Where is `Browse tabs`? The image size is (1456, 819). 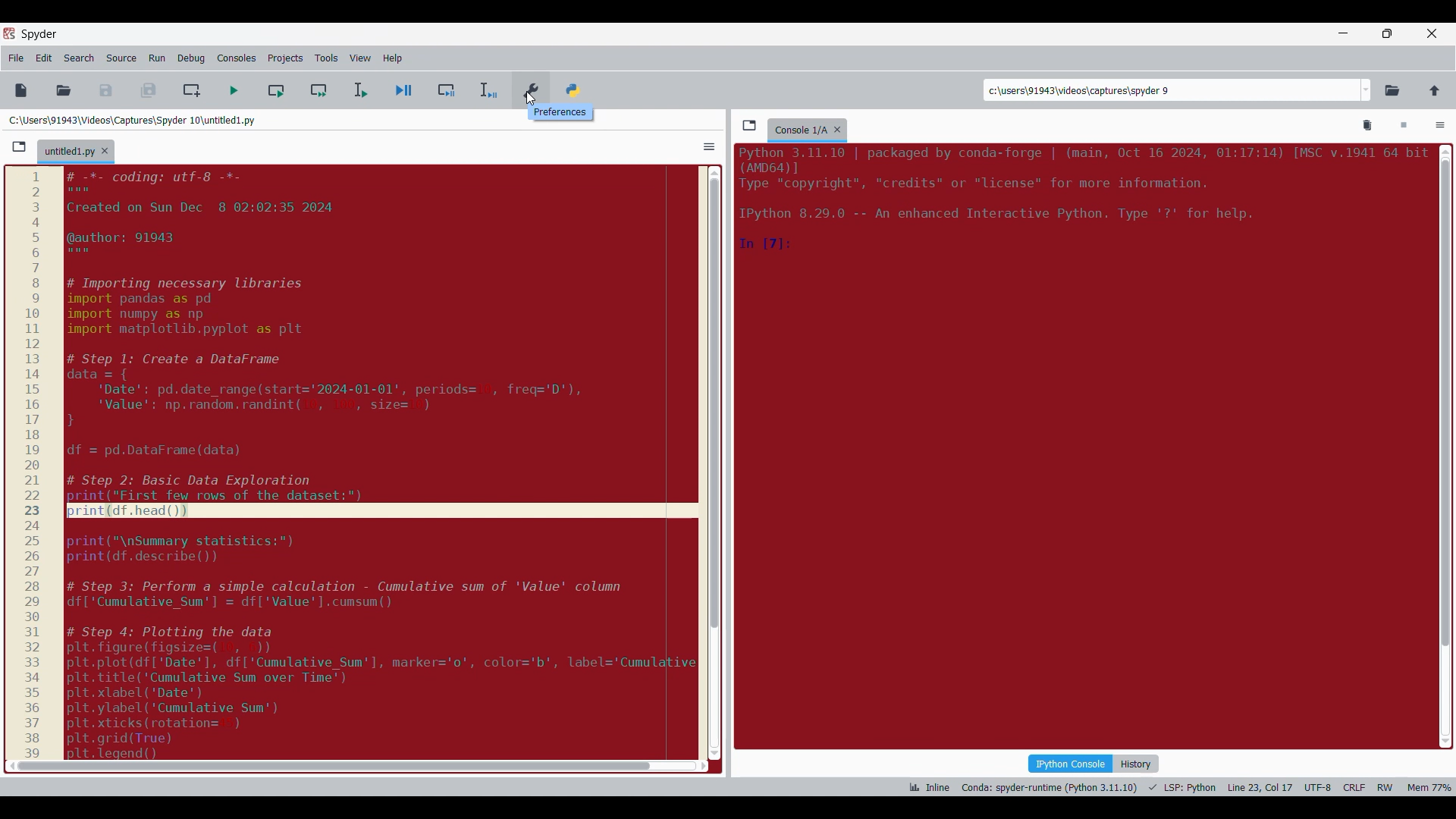
Browse tabs is located at coordinates (19, 147).